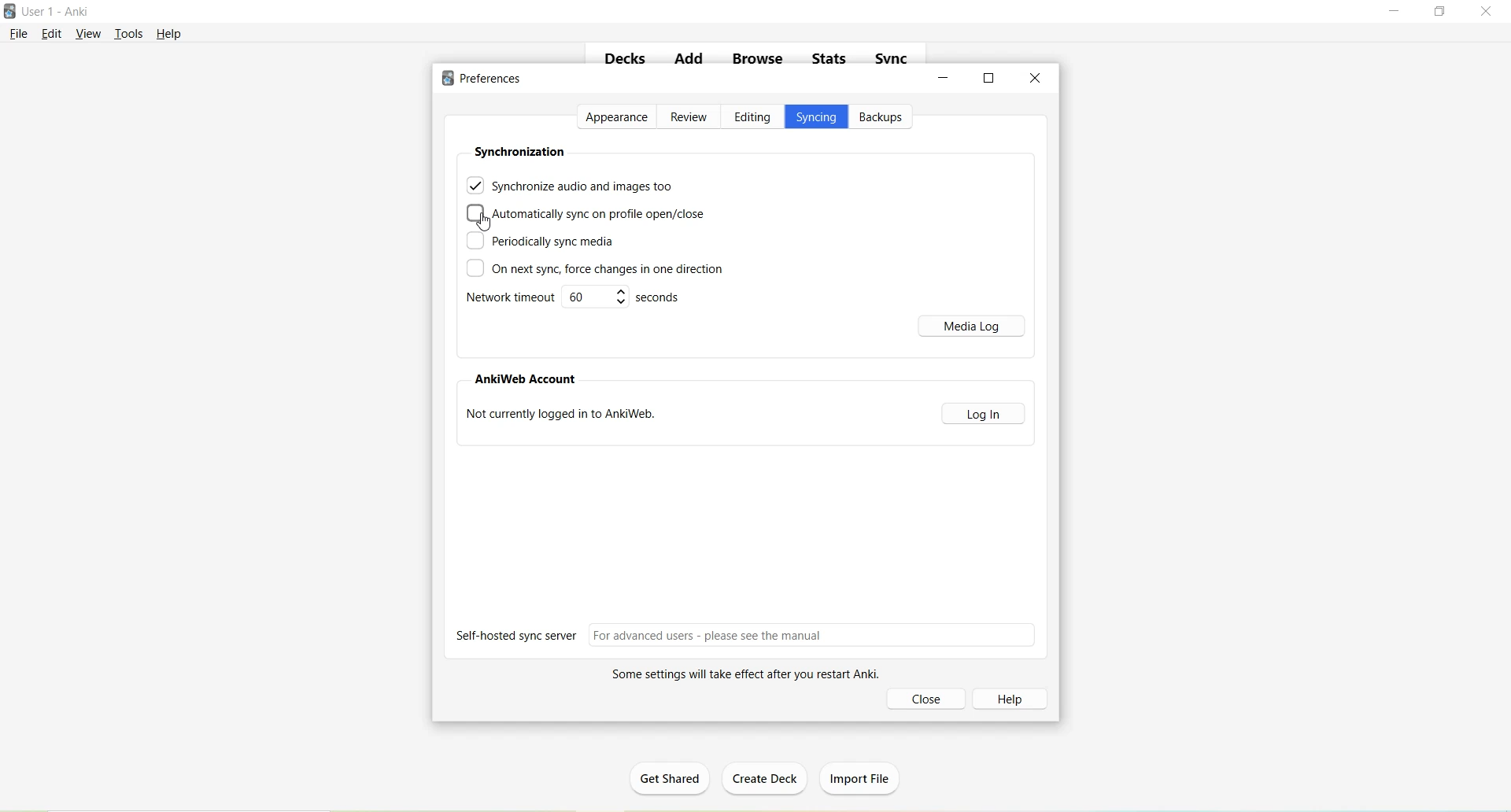 This screenshot has width=1511, height=812. What do you see at coordinates (834, 62) in the screenshot?
I see `Stats` at bounding box center [834, 62].